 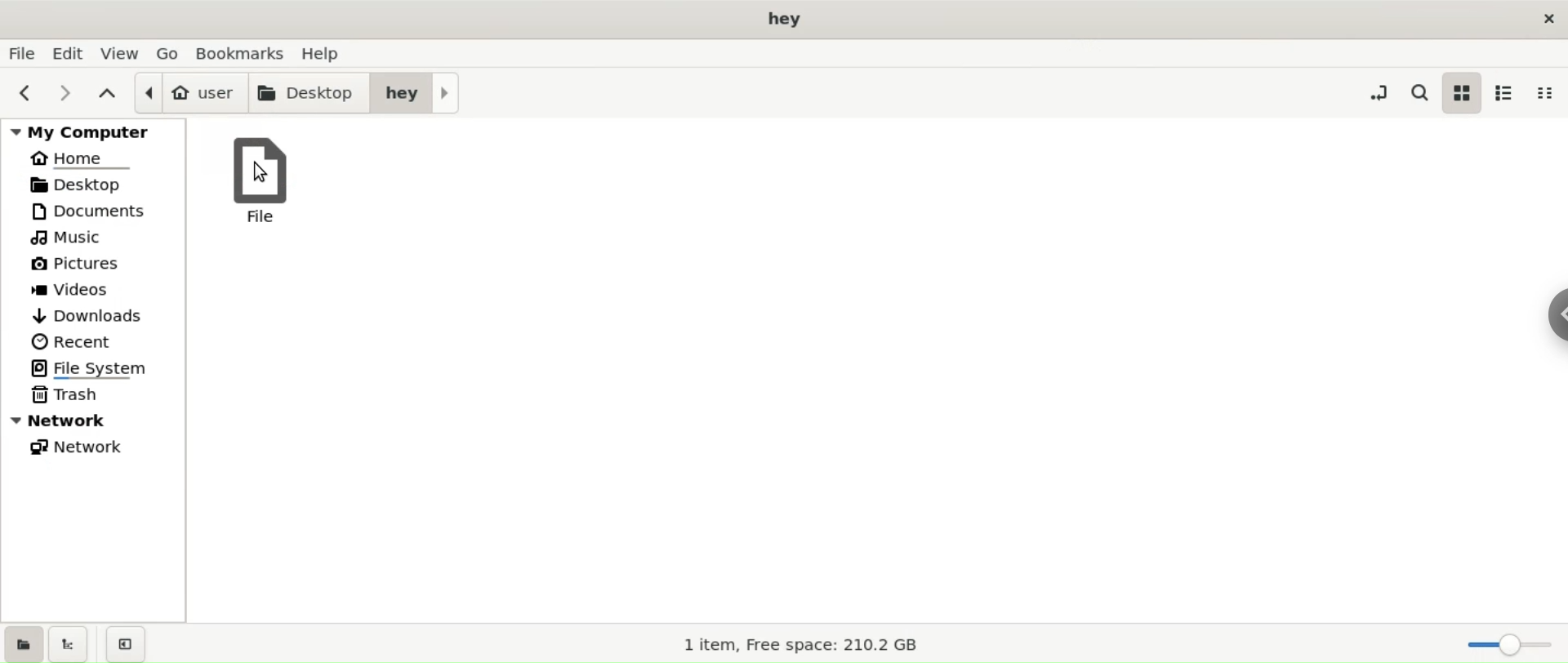 What do you see at coordinates (95, 447) in the screenshot?
I see `network` at bounding box center [95, 447].